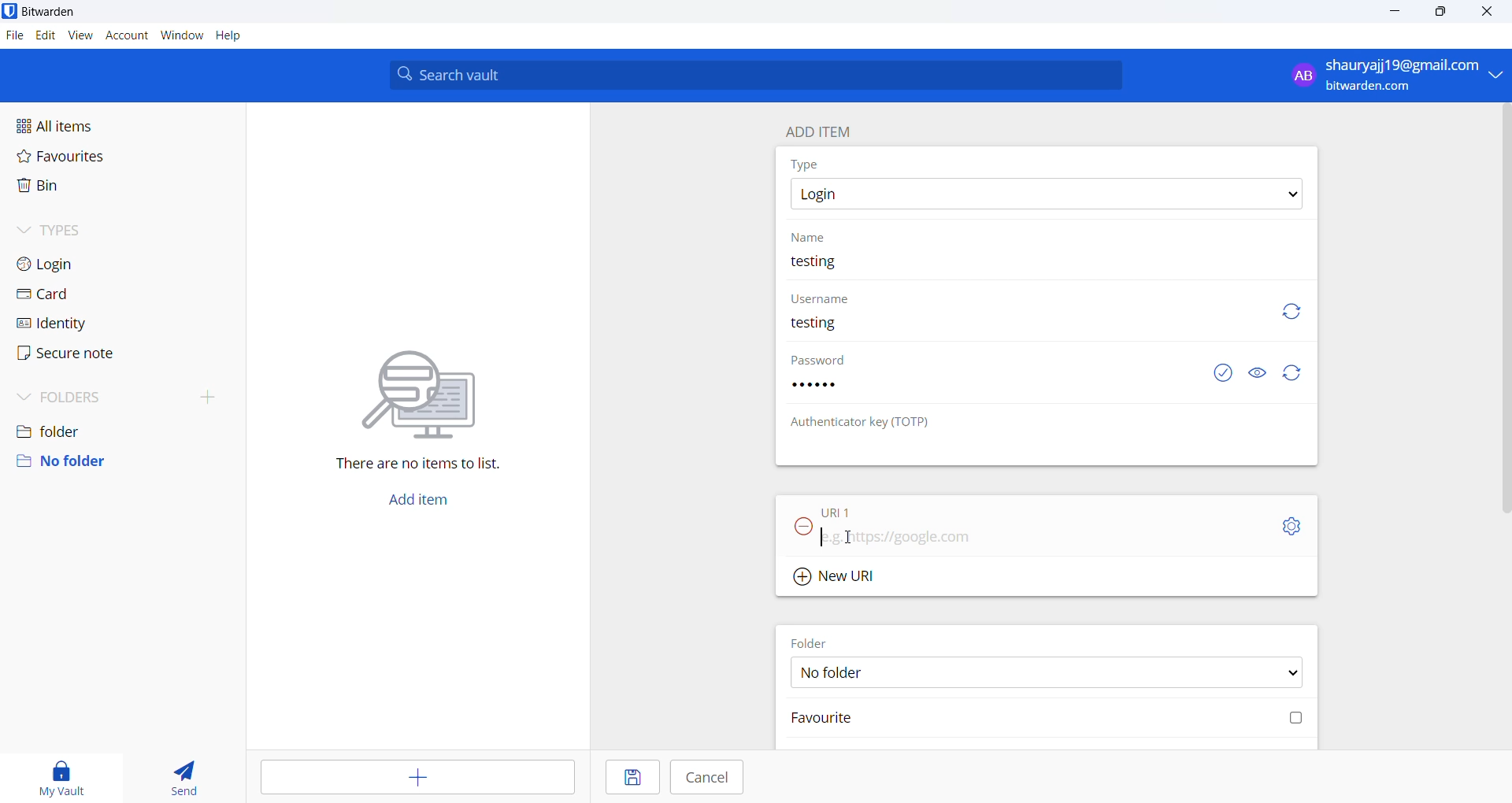  I want to click on URL setting, so click(1284, 525).